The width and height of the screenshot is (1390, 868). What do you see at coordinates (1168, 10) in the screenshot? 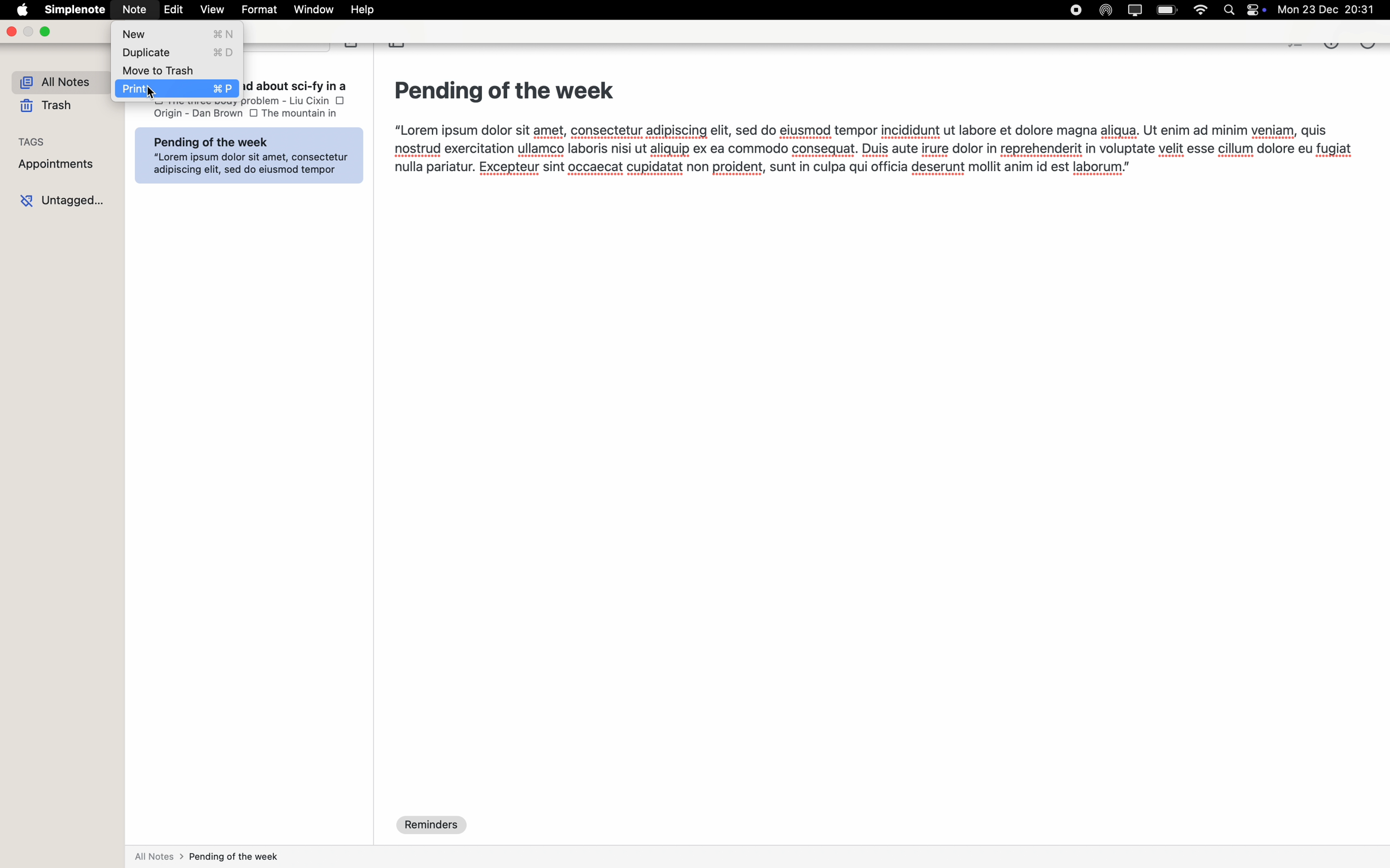
I see `battery` at bounding box center [1168, 10].